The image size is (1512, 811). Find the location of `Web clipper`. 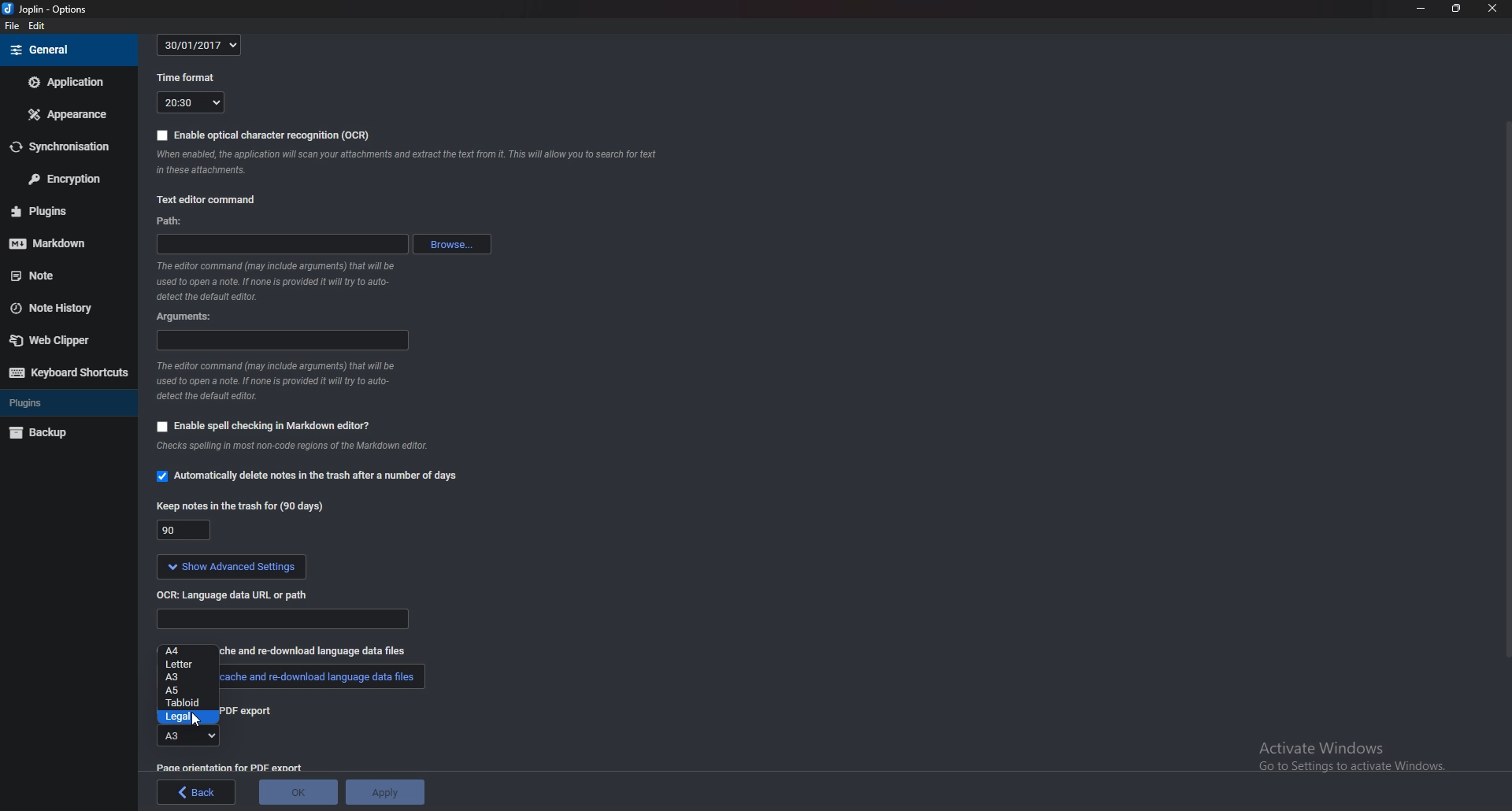

Web clipper is located at coordinates (61, 339).